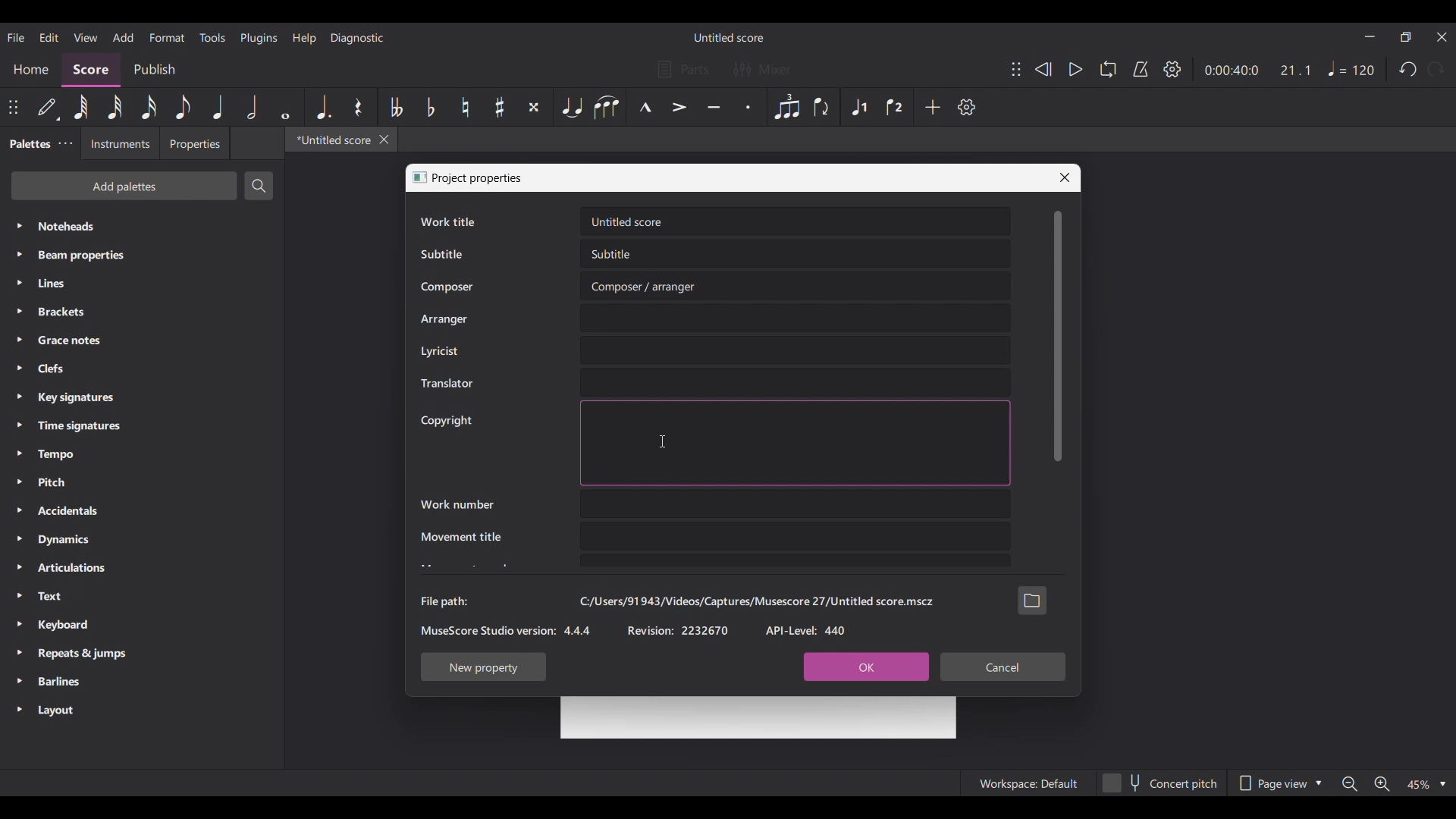 The image size is (1456, 819). What do you see at coordinates (1003, 667) in the screenshot?
I see `Cancel` at bounding box center [1003, 667].